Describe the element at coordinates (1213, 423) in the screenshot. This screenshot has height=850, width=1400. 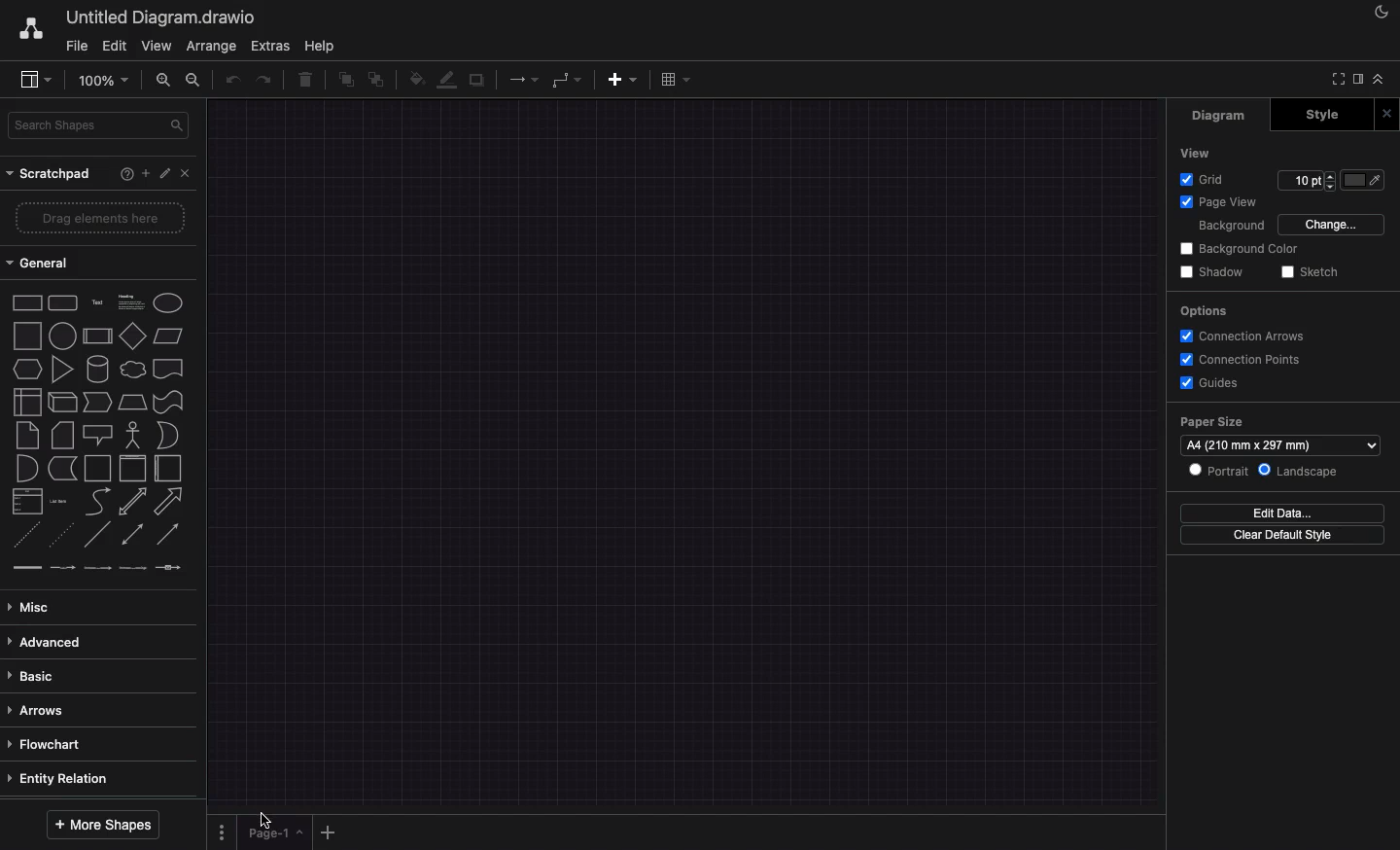
I see `paper size` at that location.